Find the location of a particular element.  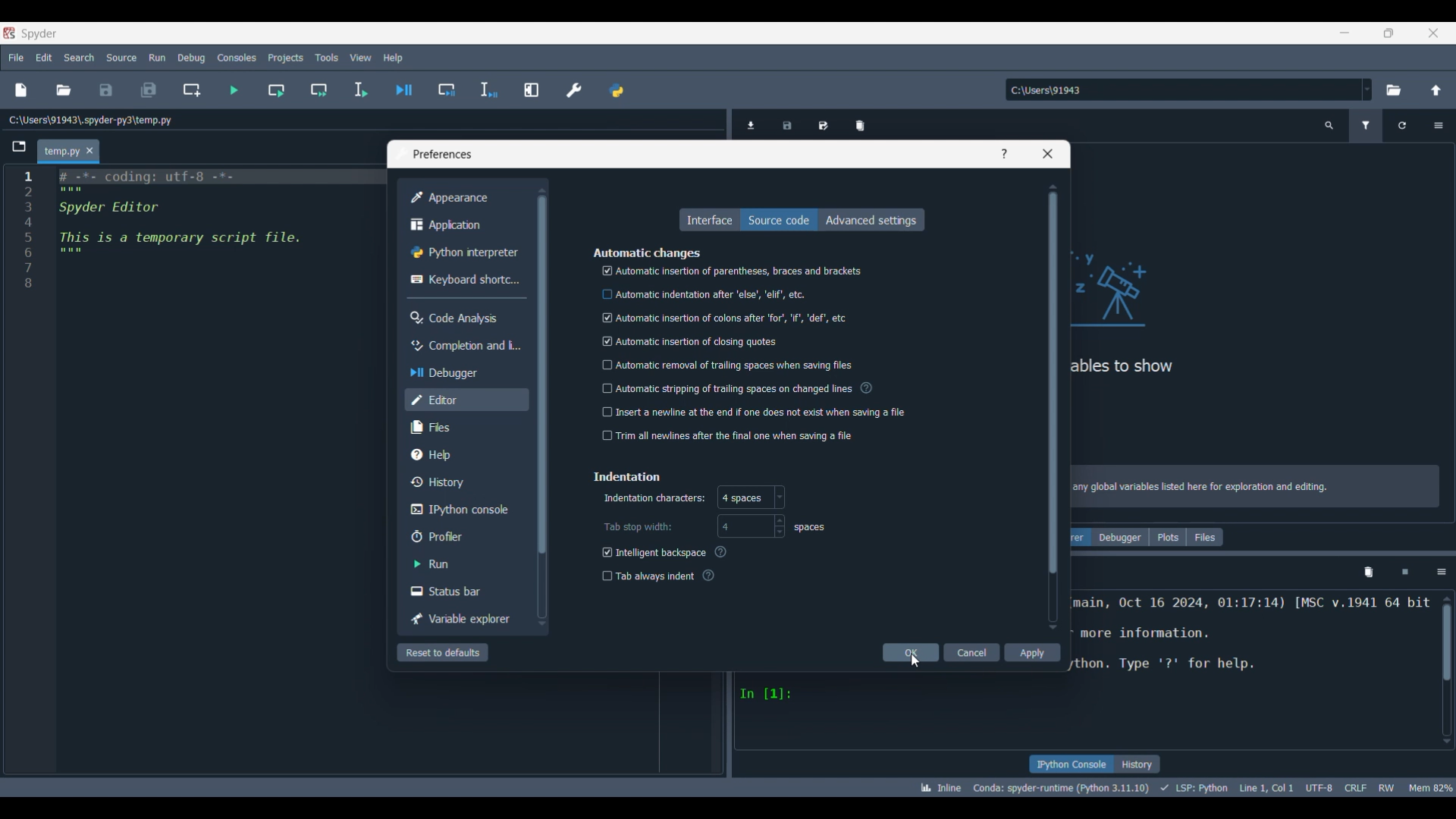

Profiler is located at coordinates (464, 536).